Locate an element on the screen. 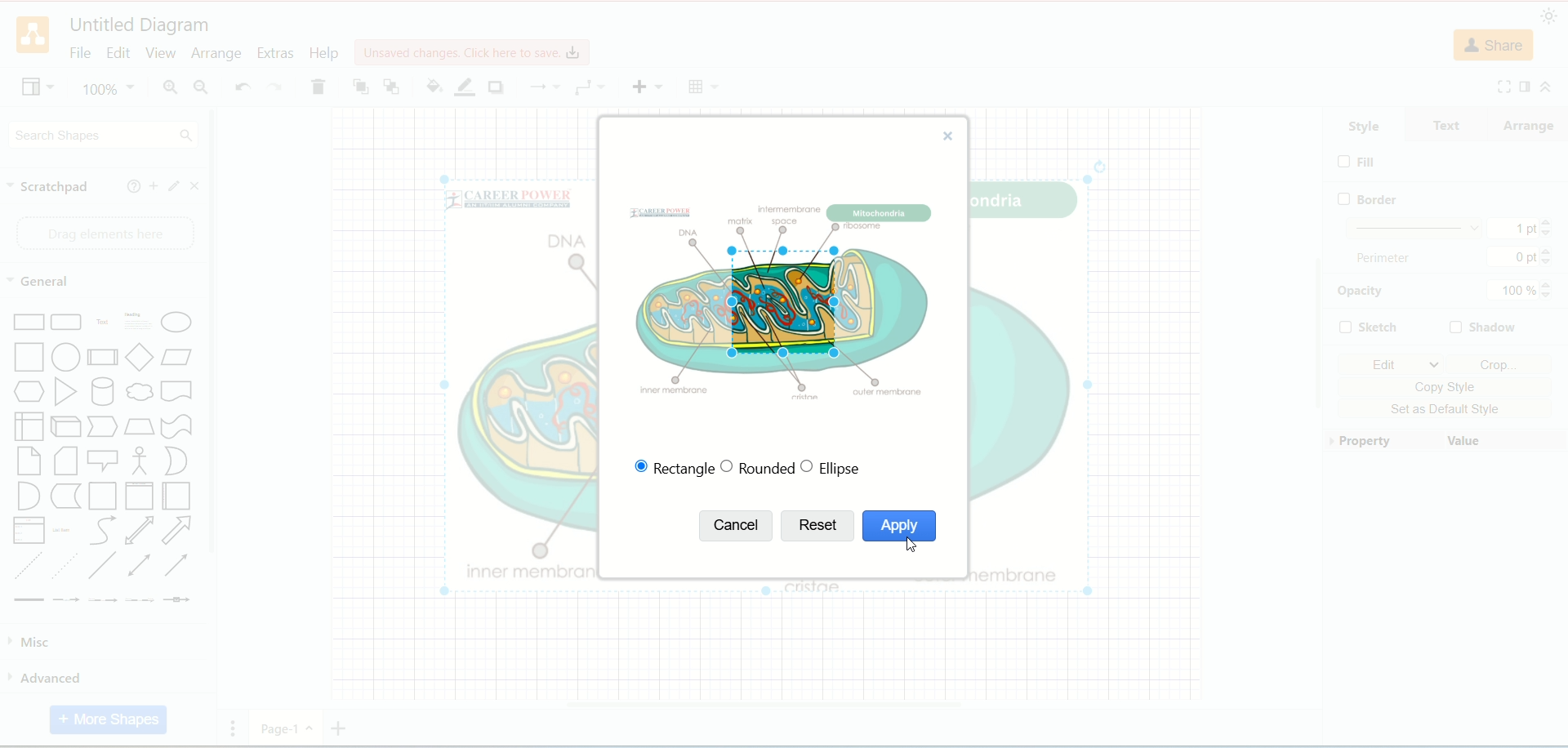 This screenshot has width=1568, height=748. extras is located at coordinates (278, 52).